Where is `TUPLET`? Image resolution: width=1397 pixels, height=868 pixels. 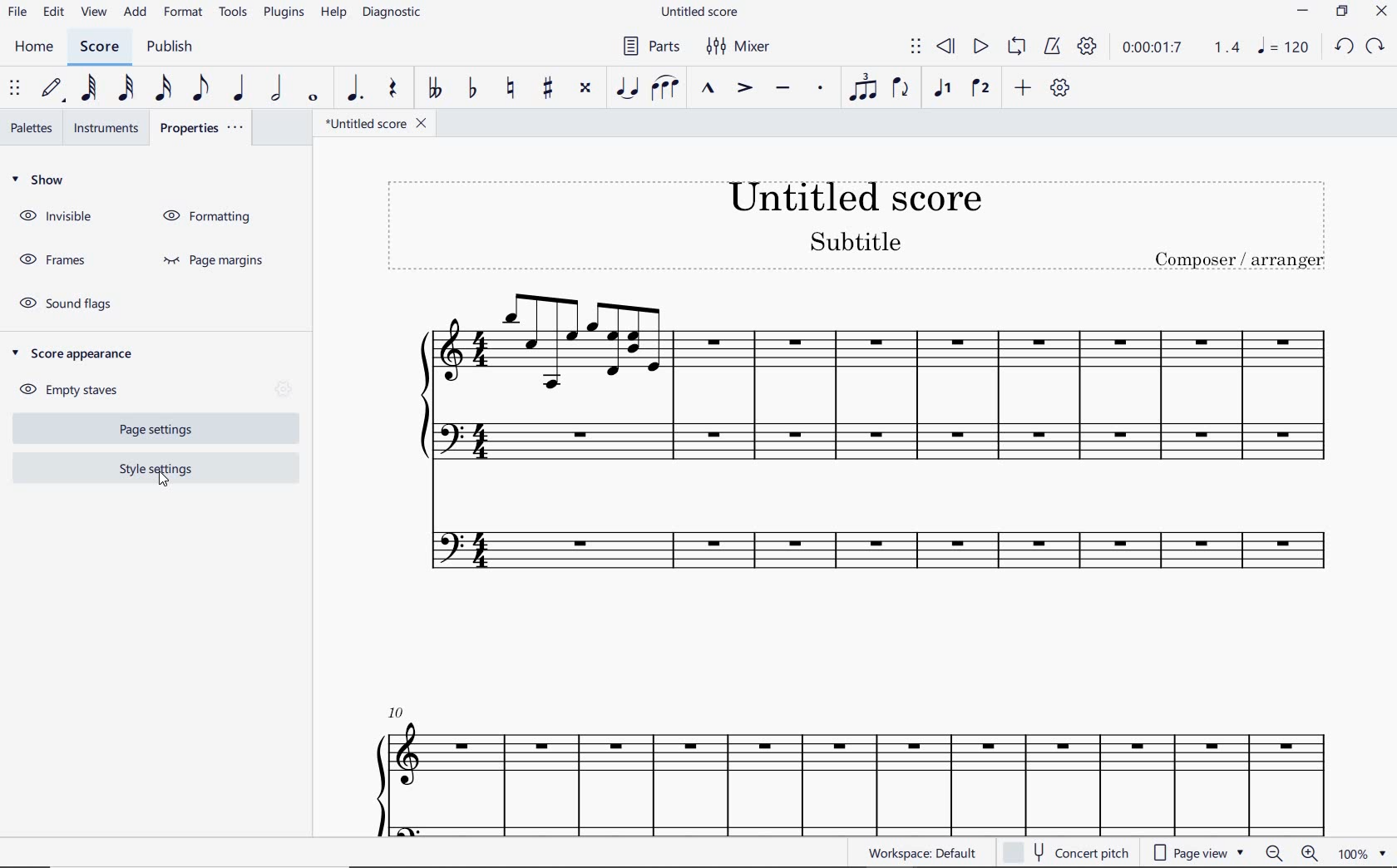 TUPLET is located at coordinates (865, 88).